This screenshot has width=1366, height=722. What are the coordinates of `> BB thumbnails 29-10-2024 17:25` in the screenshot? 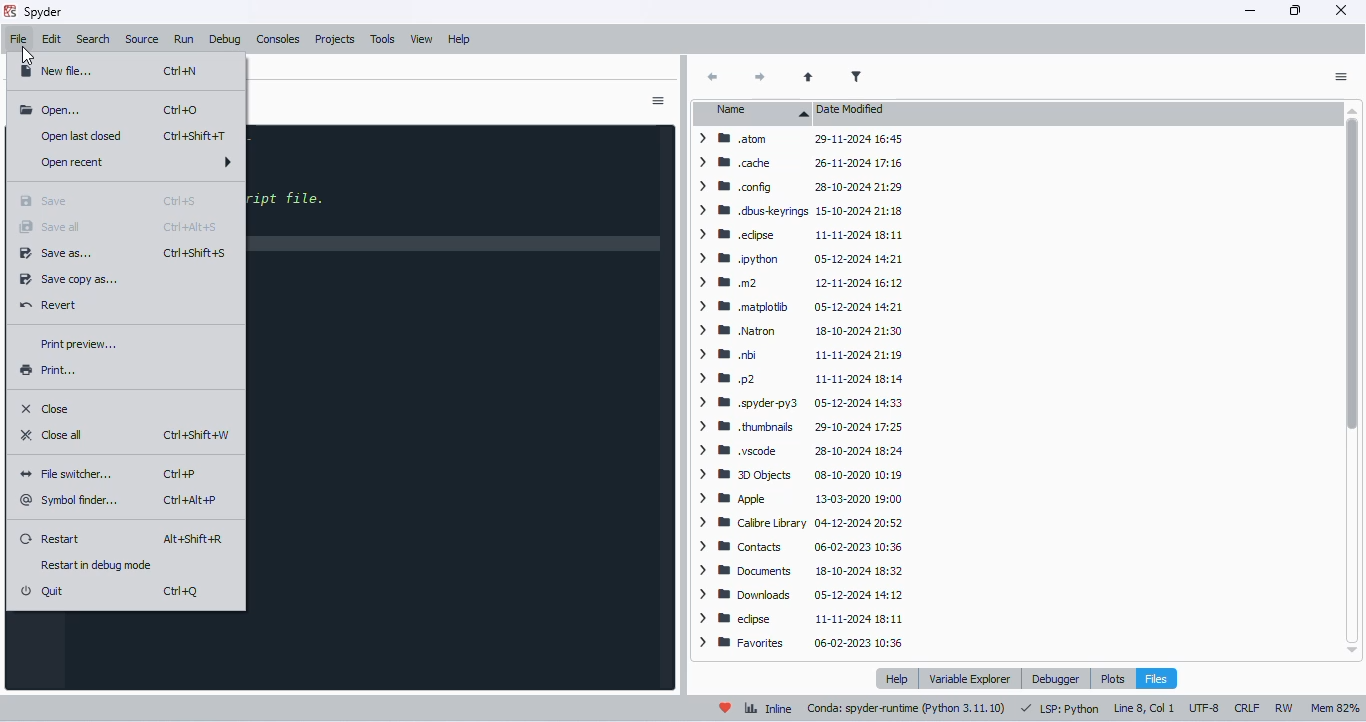 It's located at (798, 427).